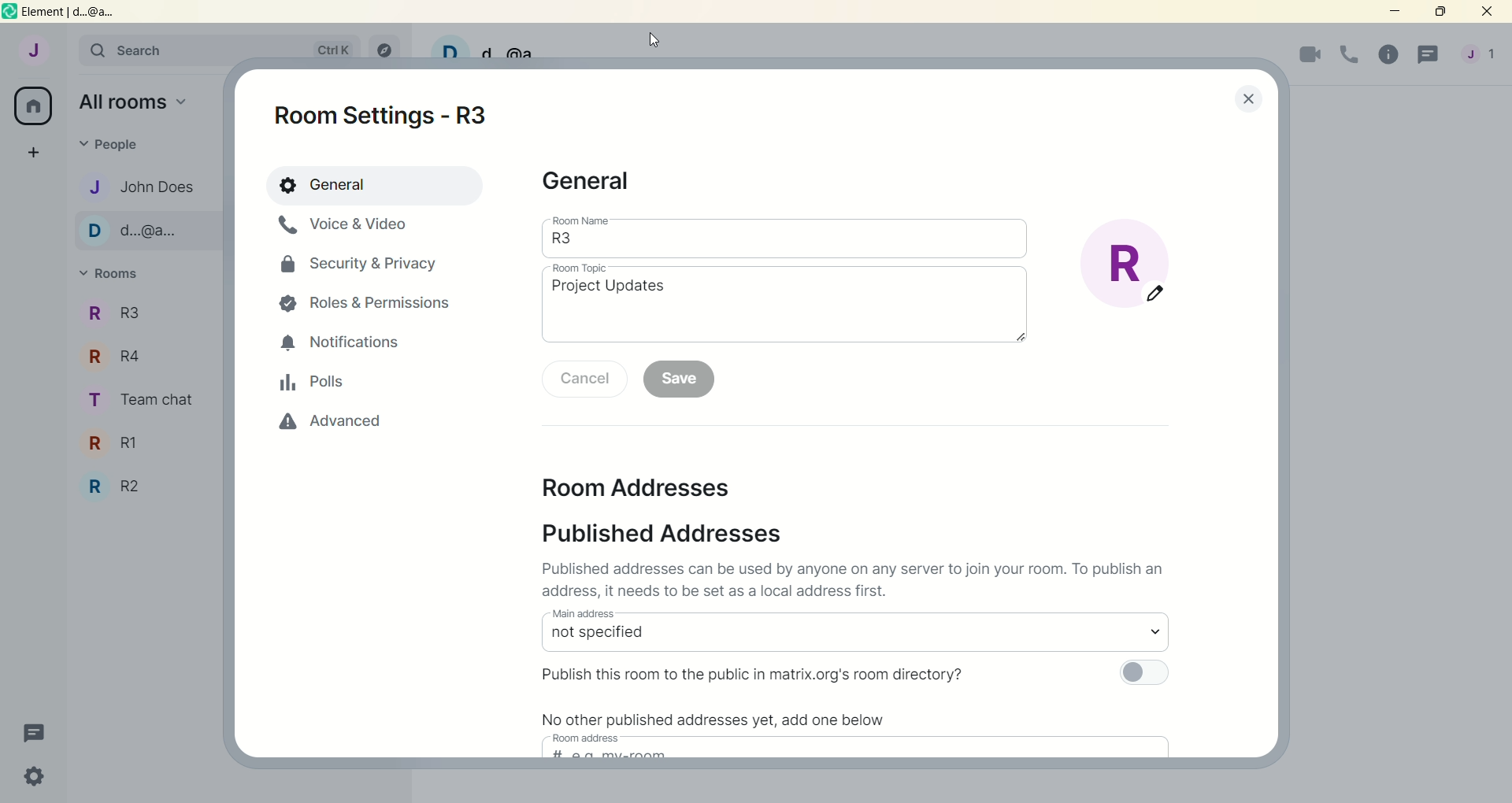 The image size is (1512, 803). What do you see at coordinates (332, 420) in the screenshot?
I see `advanced` at bounding box center [332, 420].